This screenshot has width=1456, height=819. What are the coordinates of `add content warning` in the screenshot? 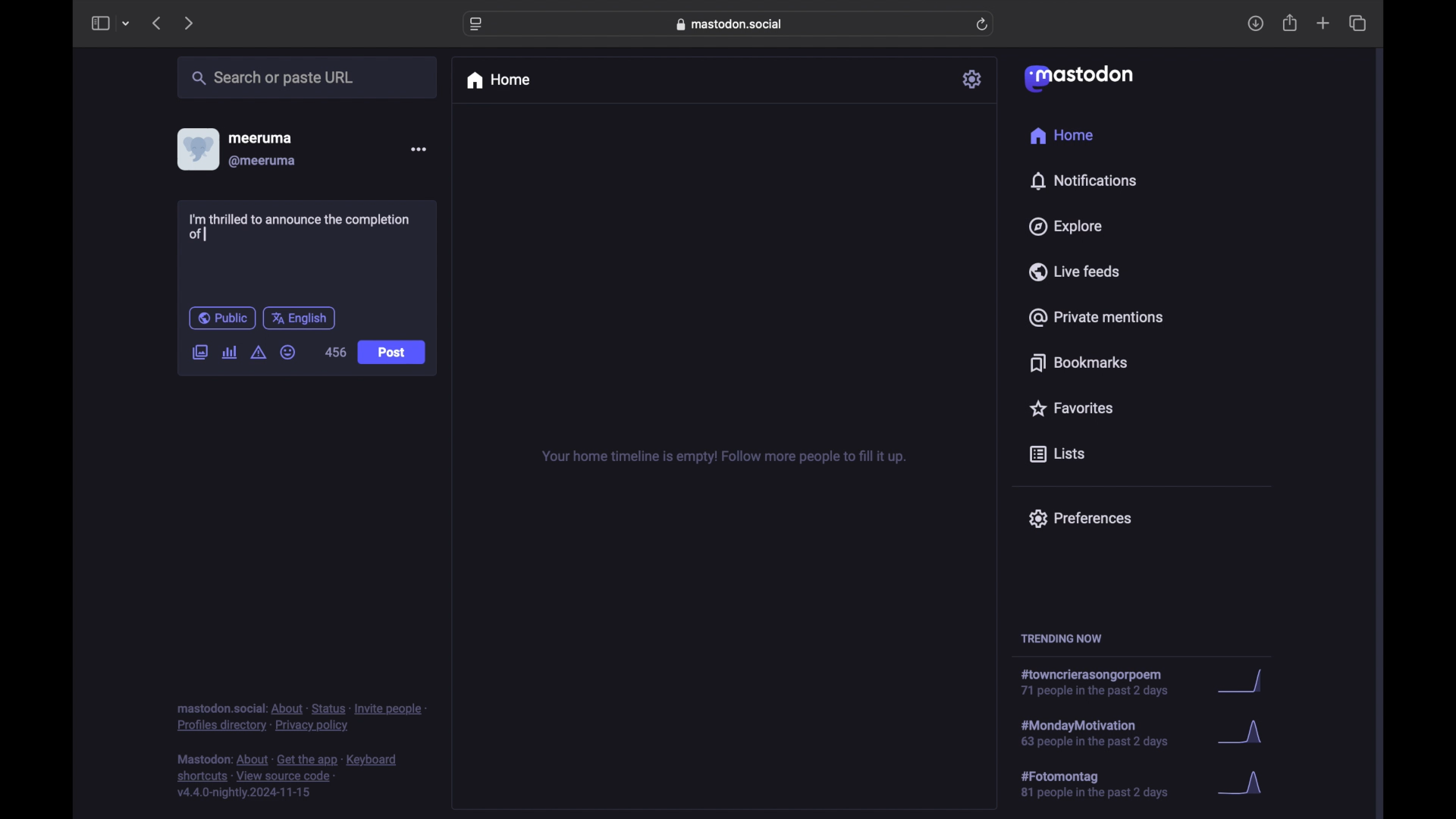 It's located at (260, 353).